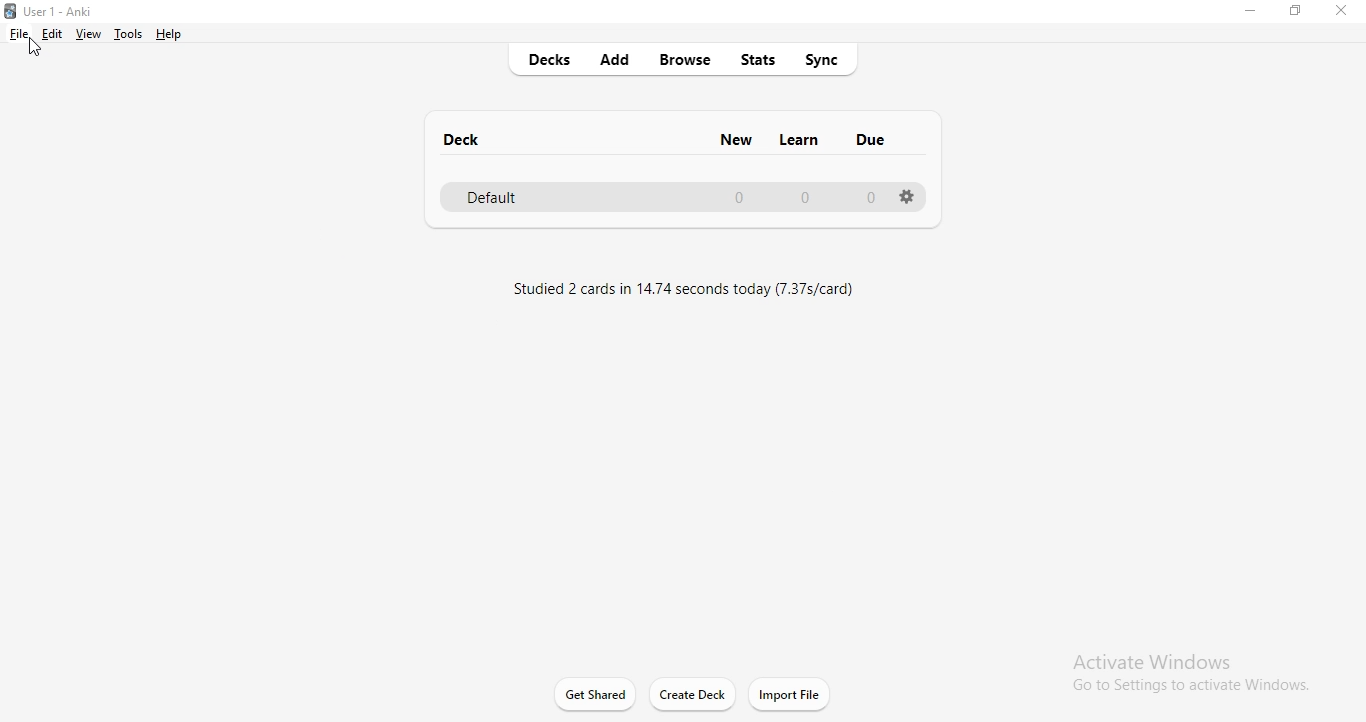  Describe the element at coordinates (37, 48) in the screenshot. I see `cursor` at that location.